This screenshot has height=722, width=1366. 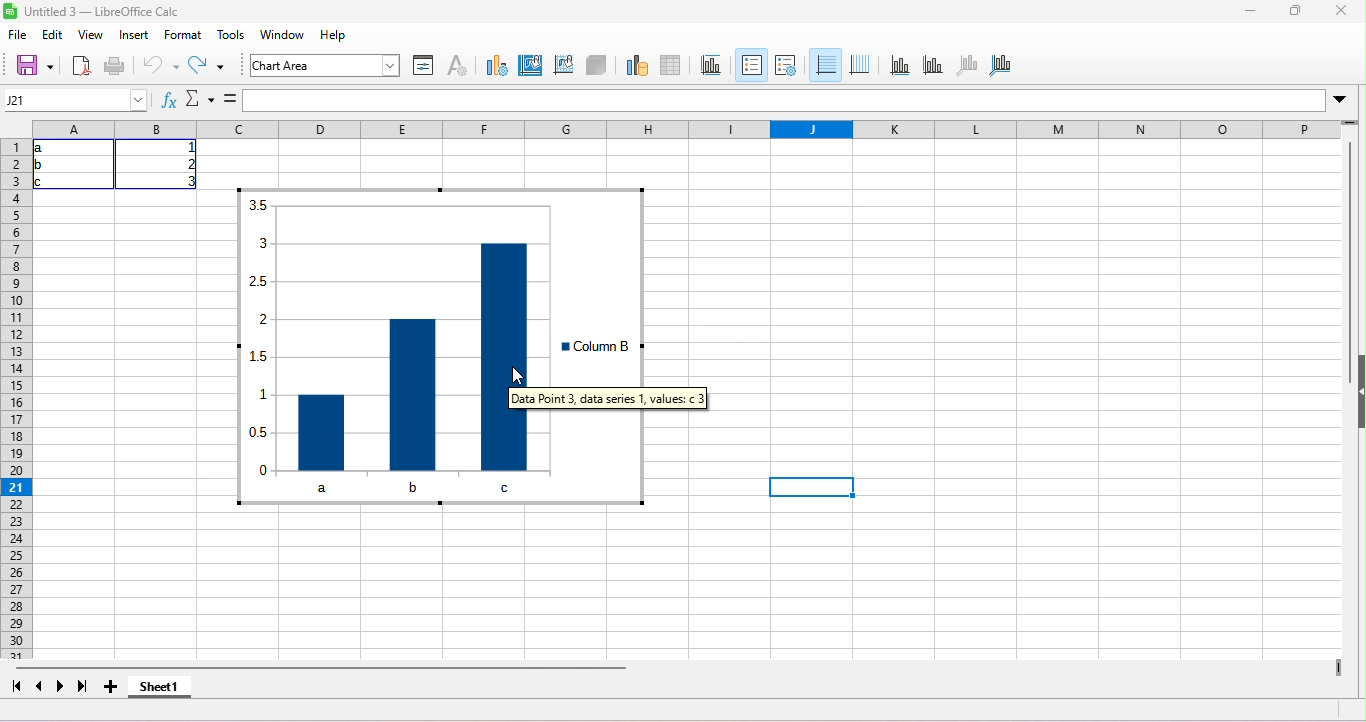 What do you see at coordinates (286, 37) in the screenshot?
I see `window` at bounding box center [286, 37].